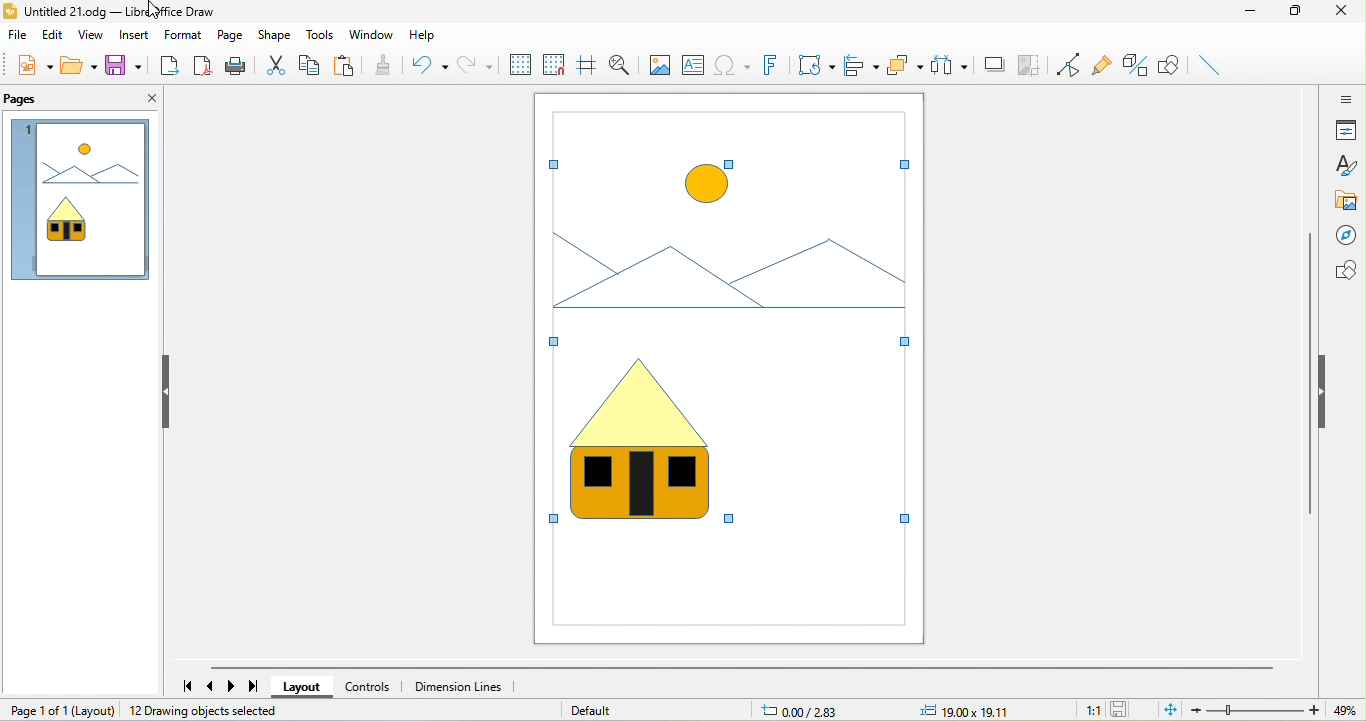 This screenshot has height=722, width=1366. Describe the element at coordinates (587, 63) in the screenshot. I see `helplines while moving` at that location.